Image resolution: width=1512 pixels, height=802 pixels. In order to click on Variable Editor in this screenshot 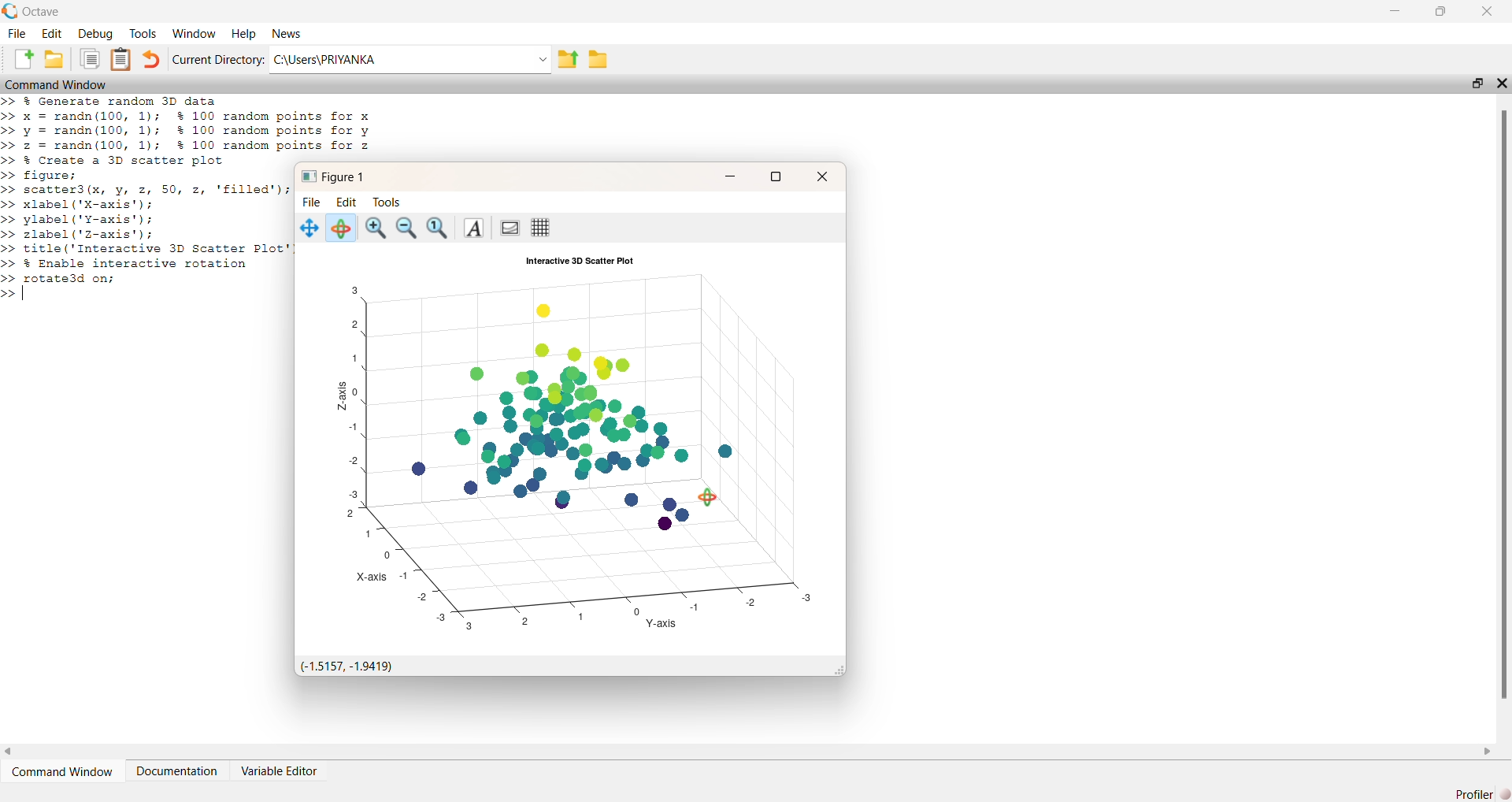, I will do `click(280, 770)`.